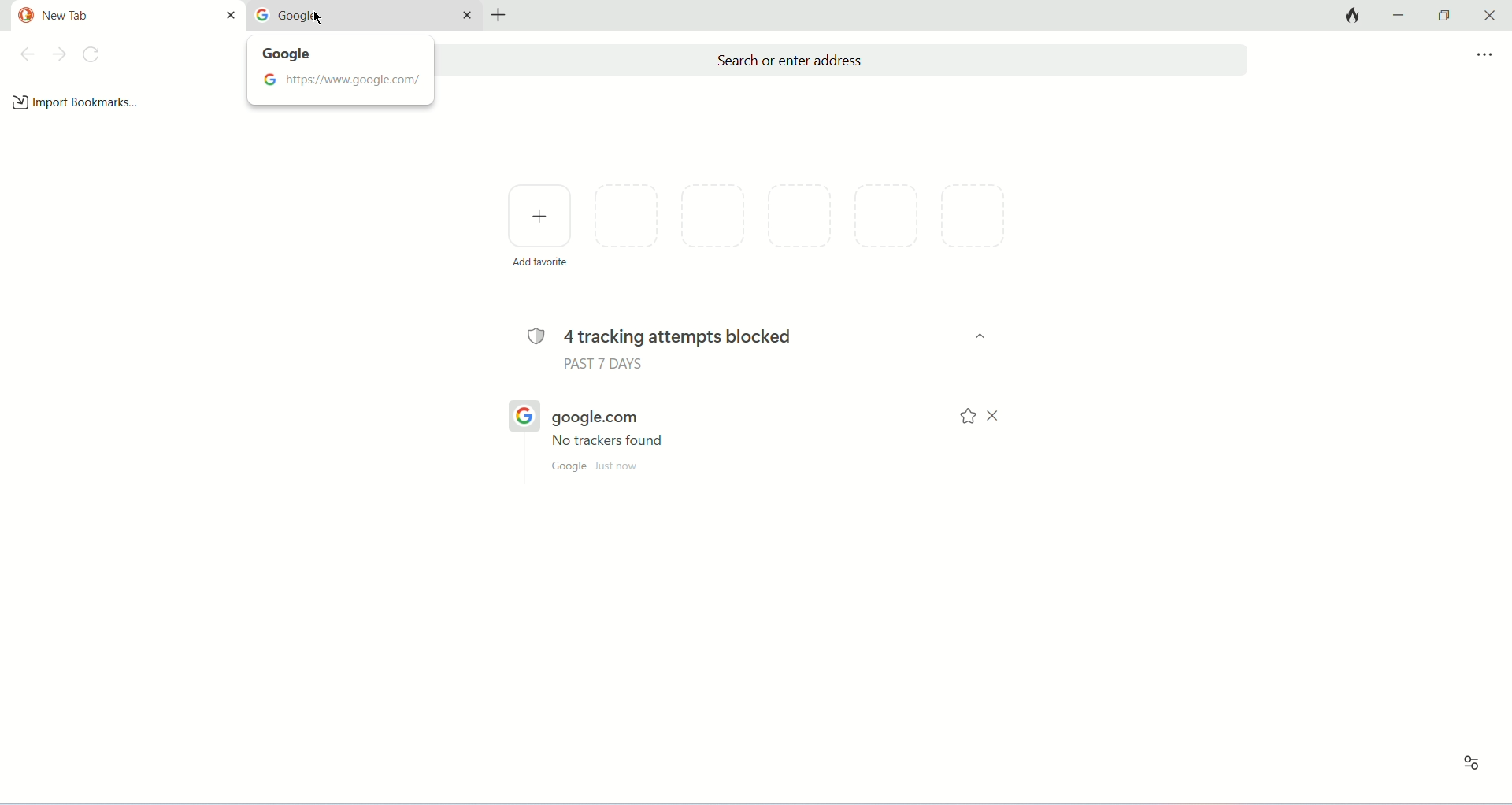 This screenshot has height=805, width=1512. I want to click on search or enter address, so click(845, 61).